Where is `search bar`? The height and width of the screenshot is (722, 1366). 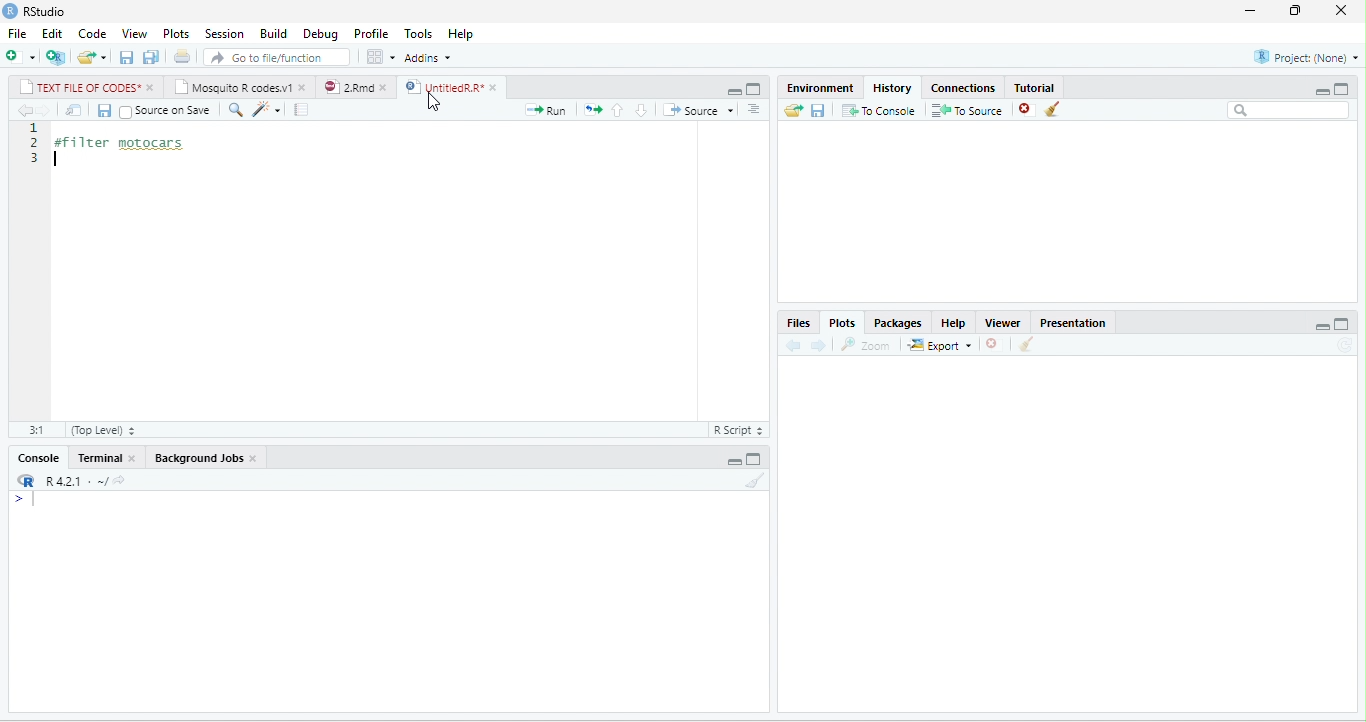 search bar is located at coordinates (1288, 110).